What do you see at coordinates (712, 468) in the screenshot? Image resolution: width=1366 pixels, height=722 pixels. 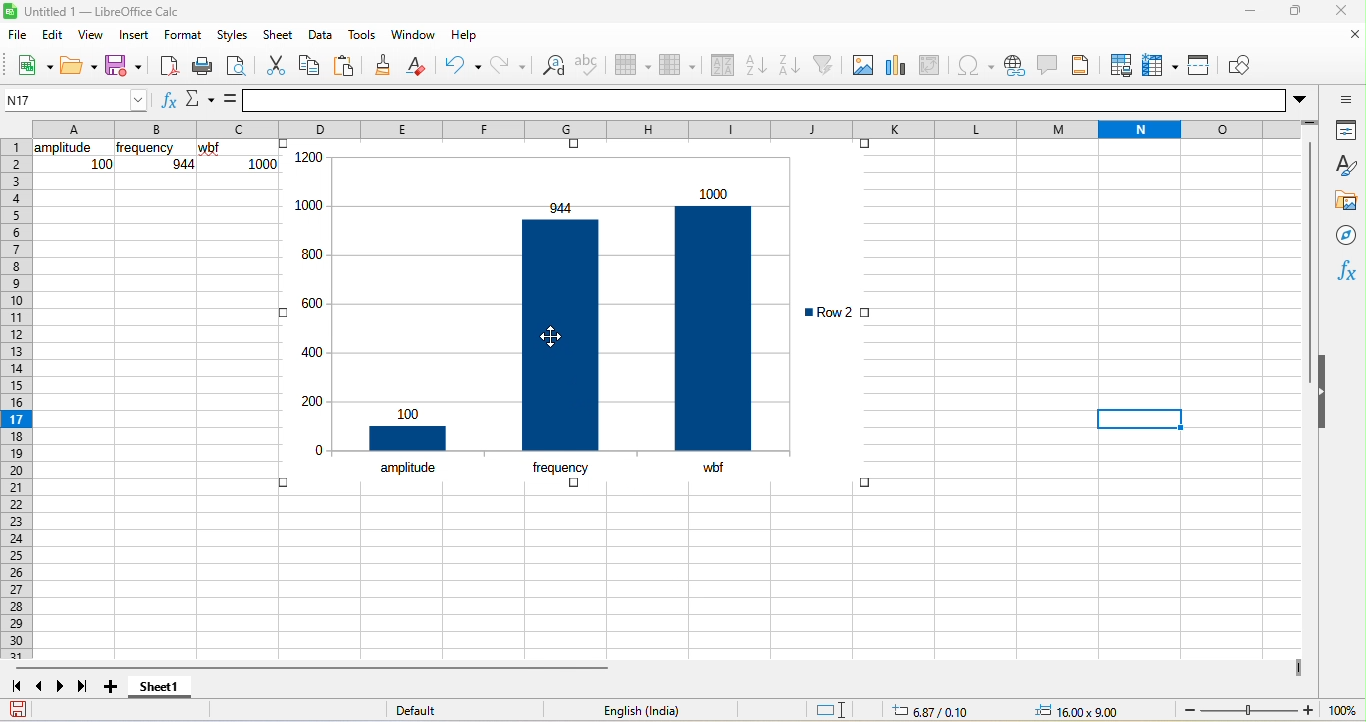 I see `wbf` at bounding box center [712, 468].